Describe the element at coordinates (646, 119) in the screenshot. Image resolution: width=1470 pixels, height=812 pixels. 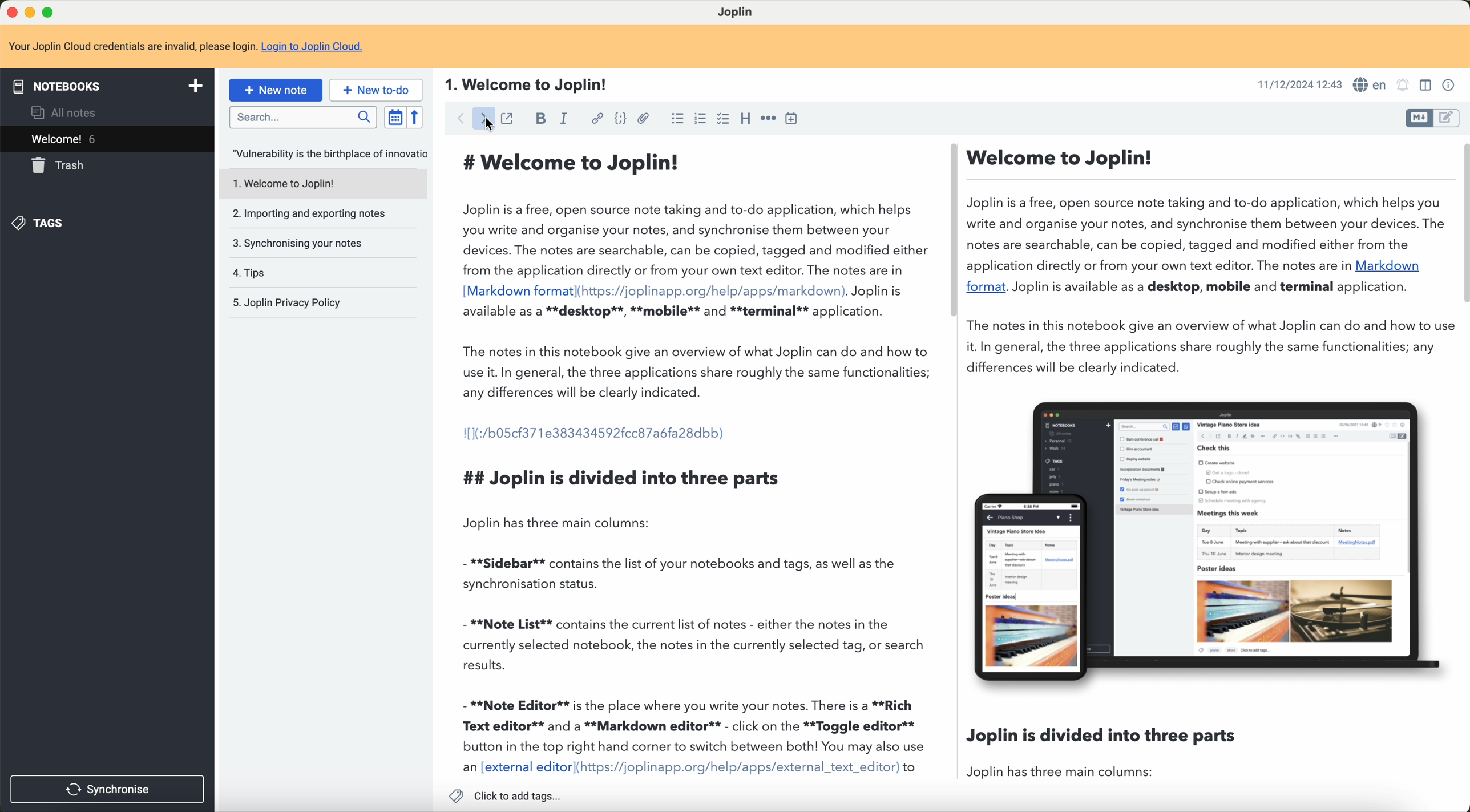
I see `attach file` at that location.